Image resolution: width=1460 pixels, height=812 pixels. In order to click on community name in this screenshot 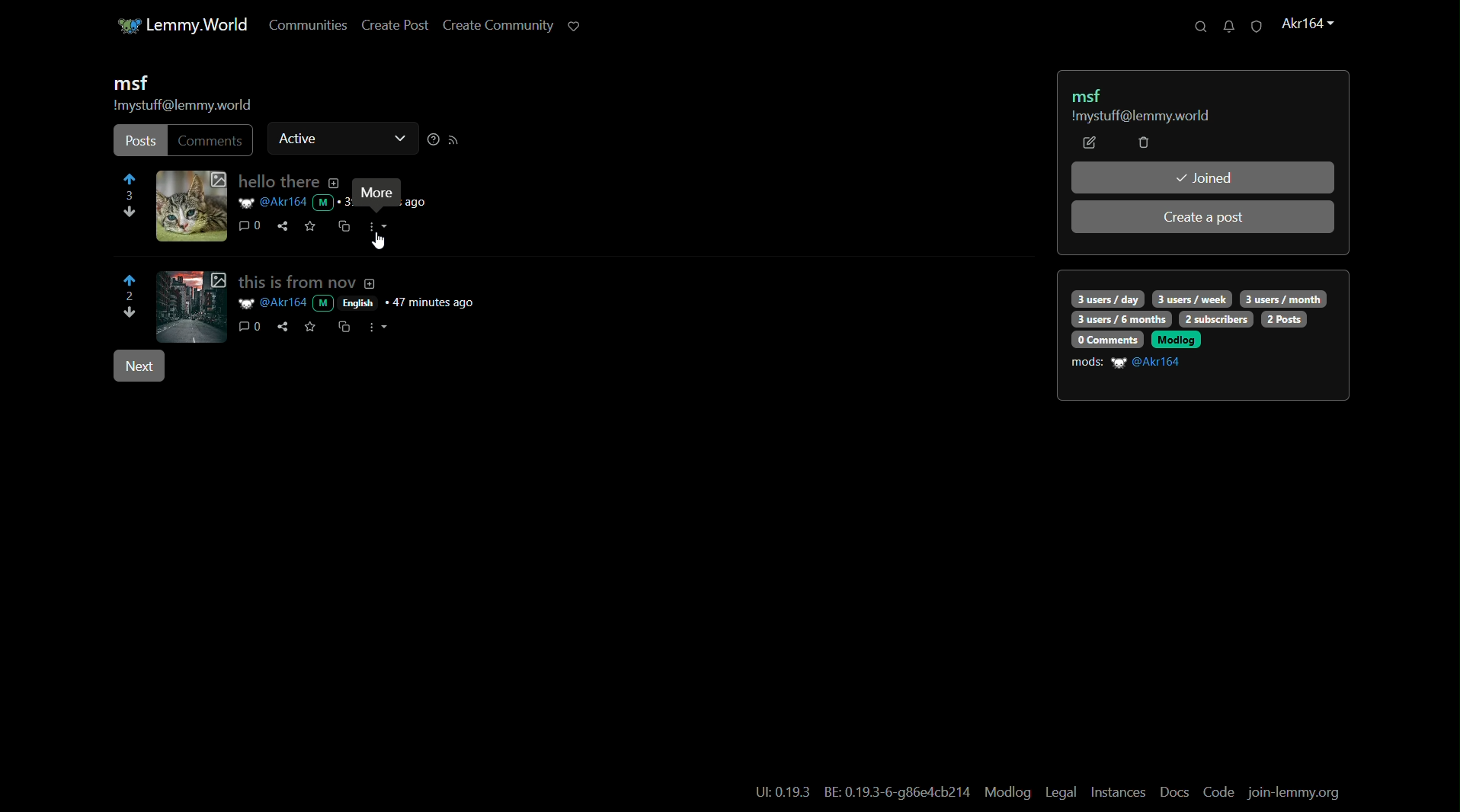, I will do `click(130, 84)`.